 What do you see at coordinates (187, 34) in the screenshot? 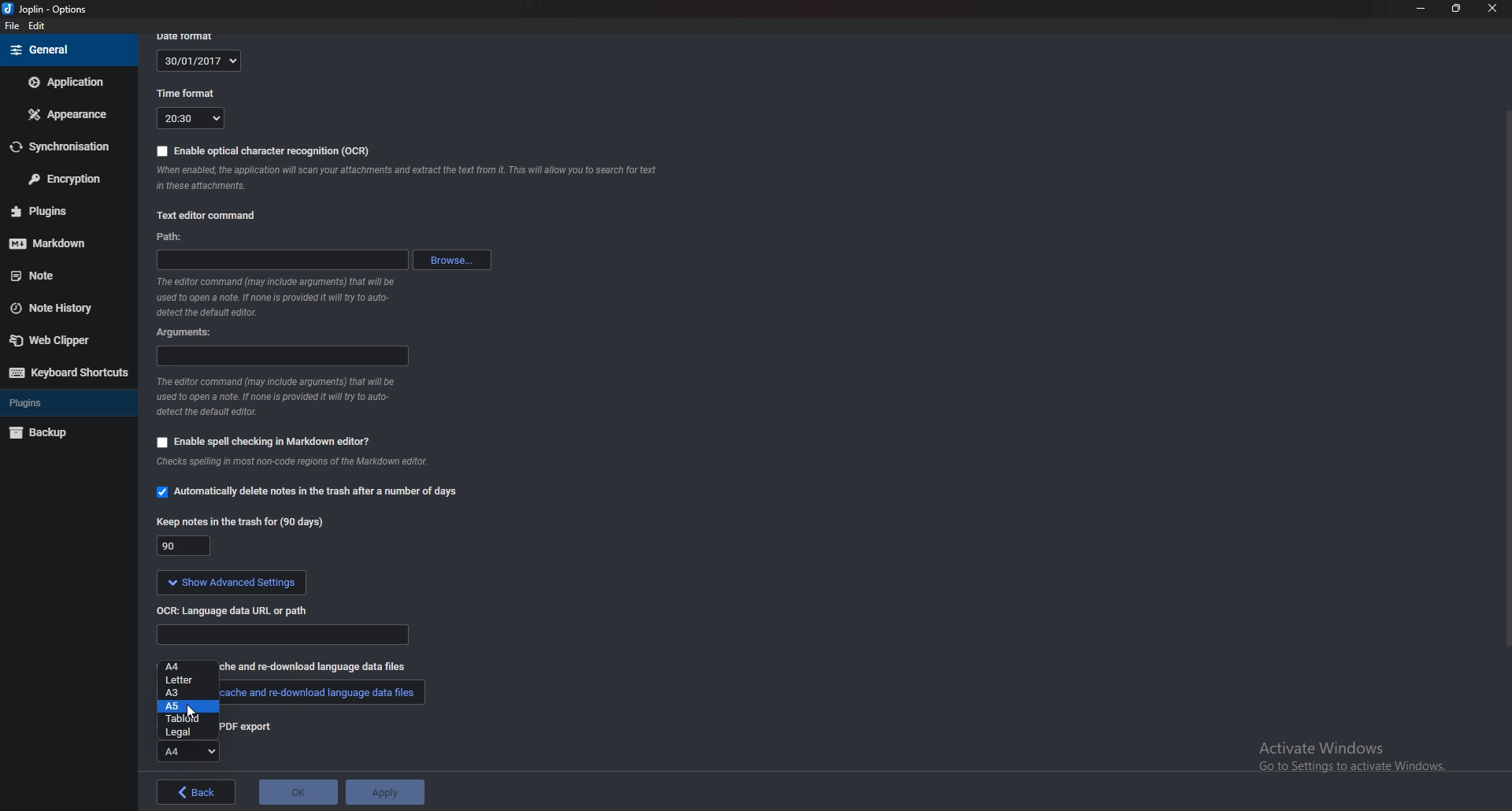
I see `date format` at bounding box center [187, 34].